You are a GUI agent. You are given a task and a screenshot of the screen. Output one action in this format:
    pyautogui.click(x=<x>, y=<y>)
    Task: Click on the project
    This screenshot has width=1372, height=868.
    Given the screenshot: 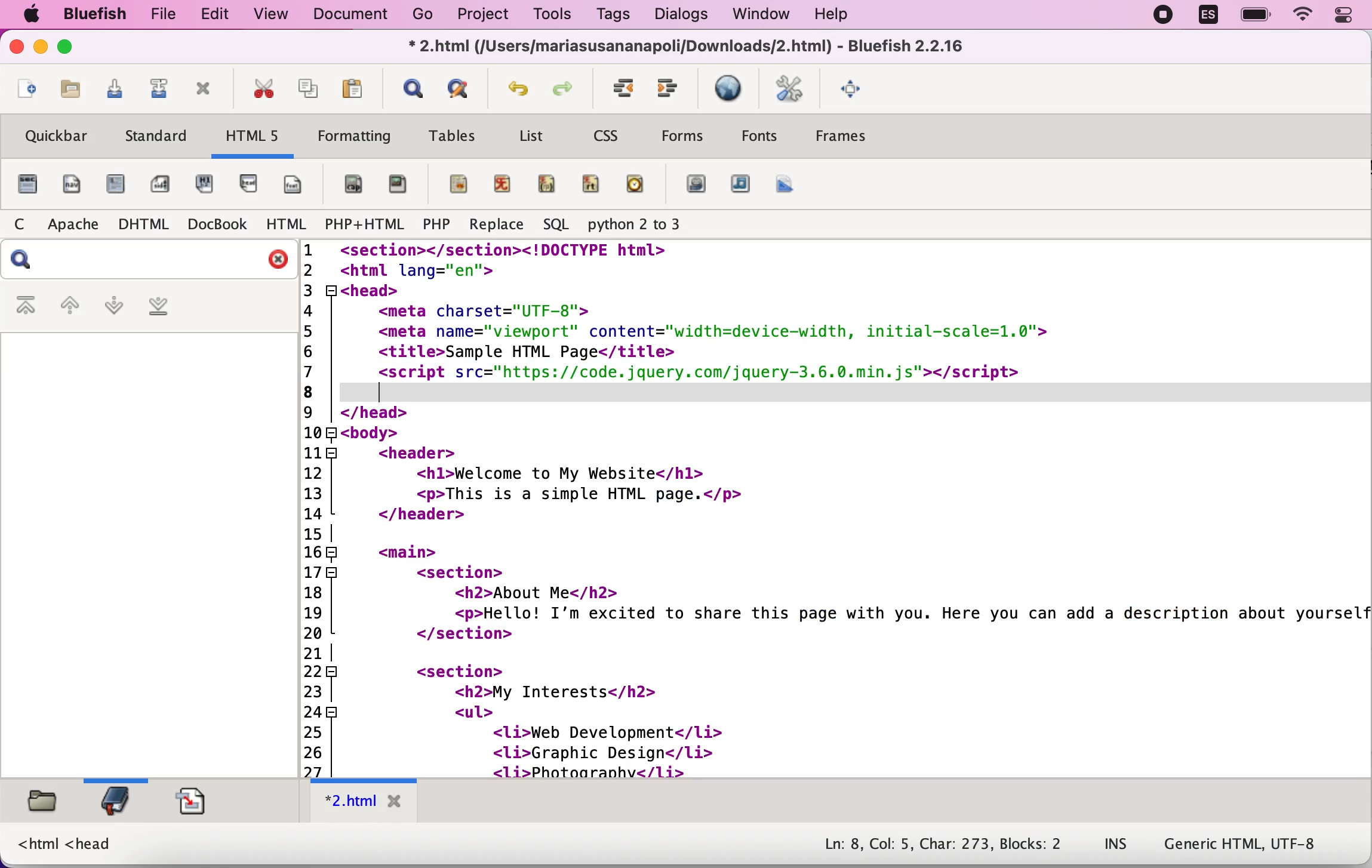 What is the action you would take?
    pyautogui.click(x=485, y=15)
    